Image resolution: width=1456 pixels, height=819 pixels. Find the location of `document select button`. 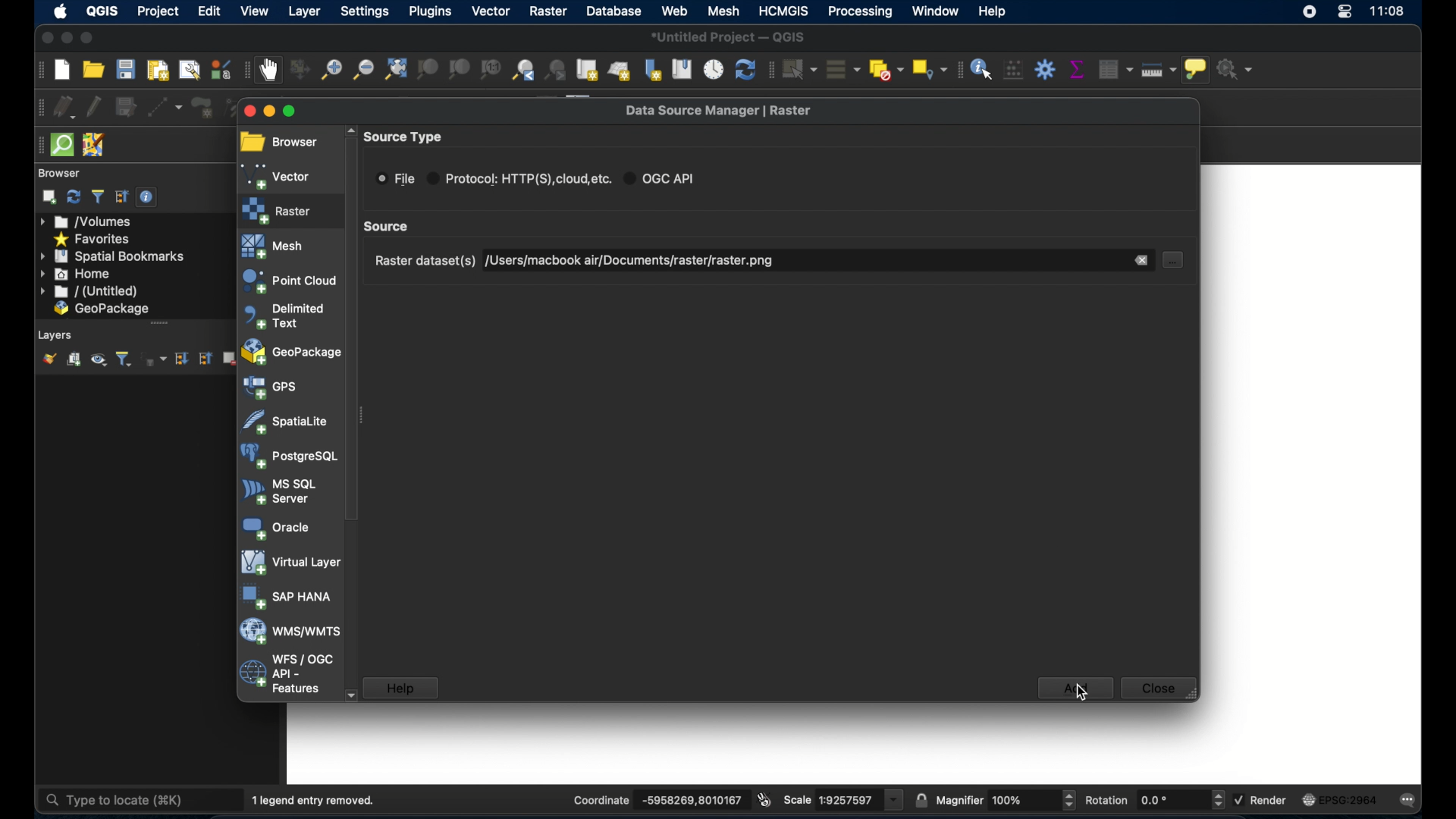

document select button is located at coordinates (1173, 261).